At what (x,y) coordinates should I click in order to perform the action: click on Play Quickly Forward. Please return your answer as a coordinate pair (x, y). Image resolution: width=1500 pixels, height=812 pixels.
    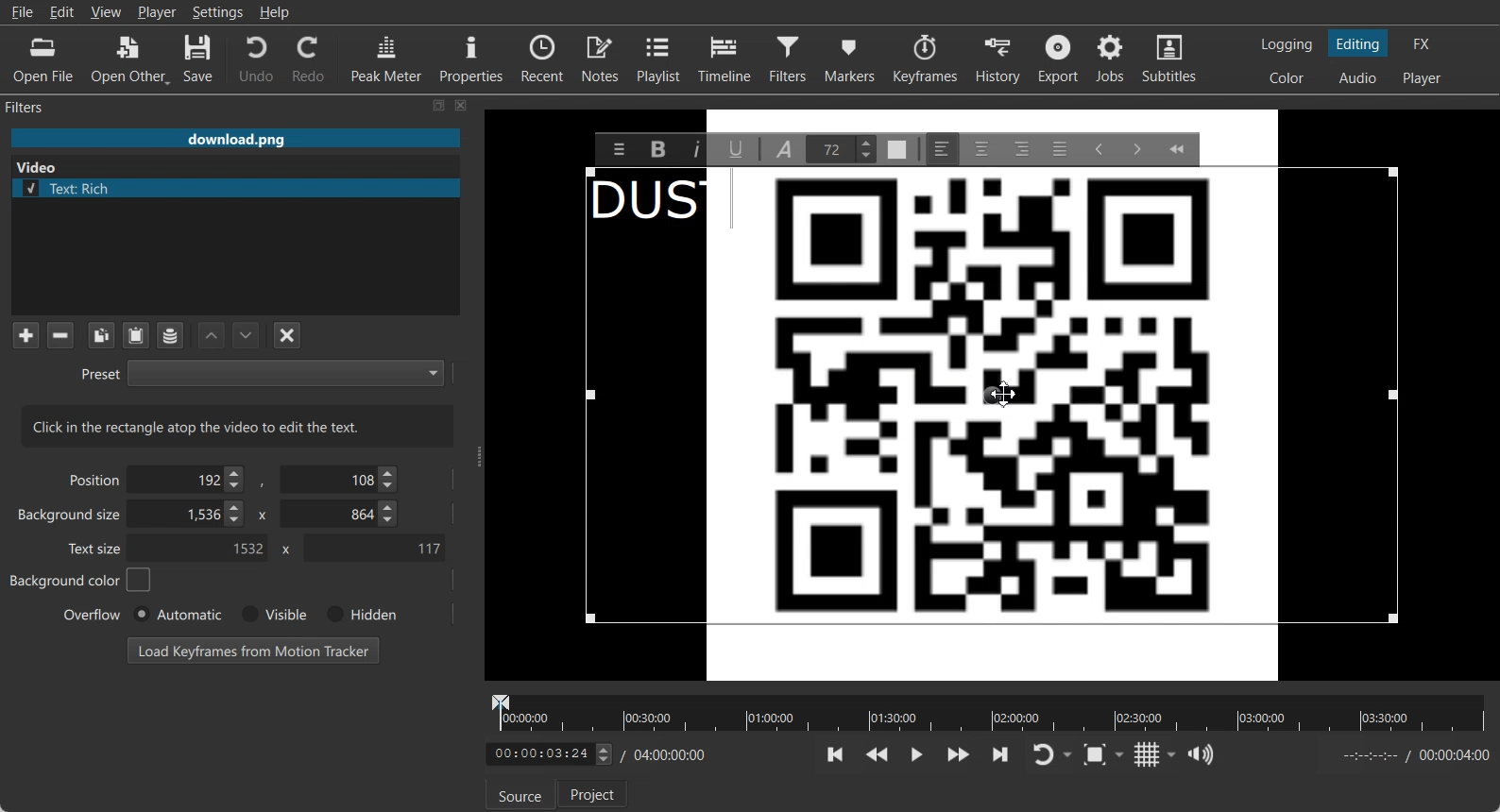
    Looking at the image, I should click on (959, 754).